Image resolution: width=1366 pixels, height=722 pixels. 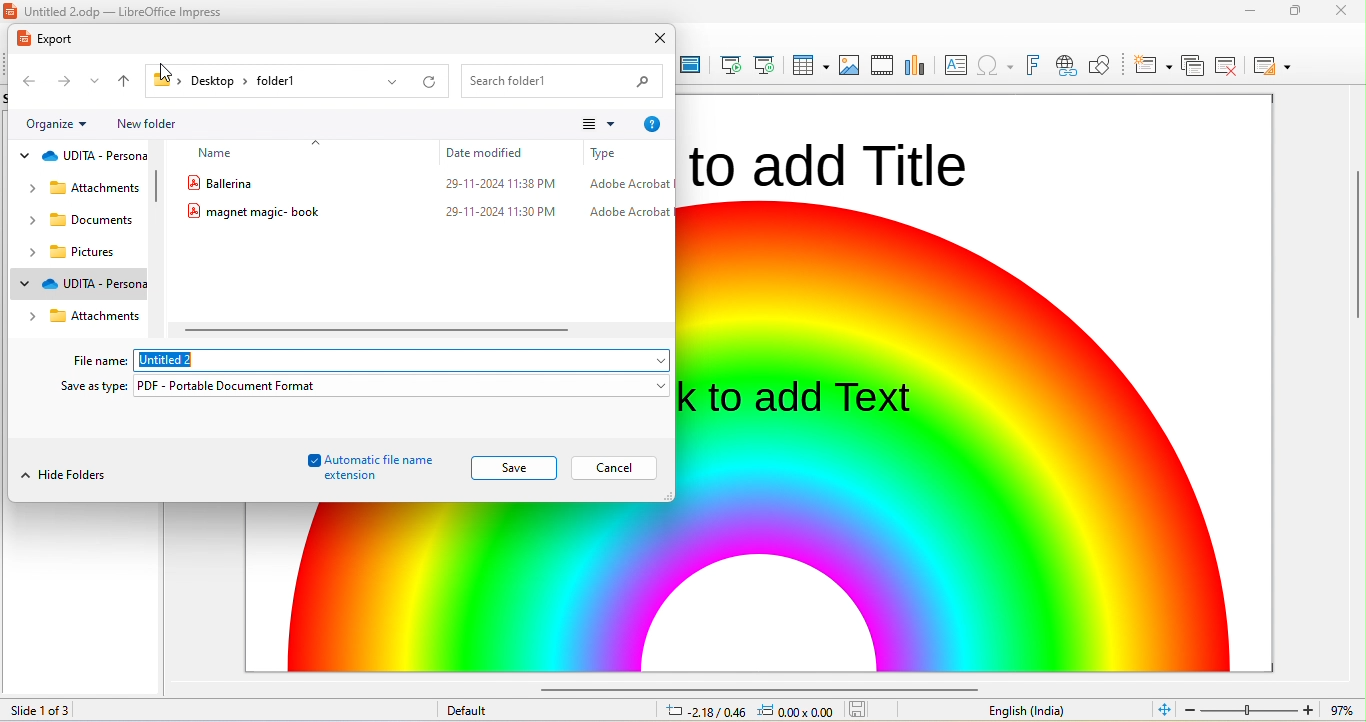 I want to click on drop down, so click(x=30, y=314).